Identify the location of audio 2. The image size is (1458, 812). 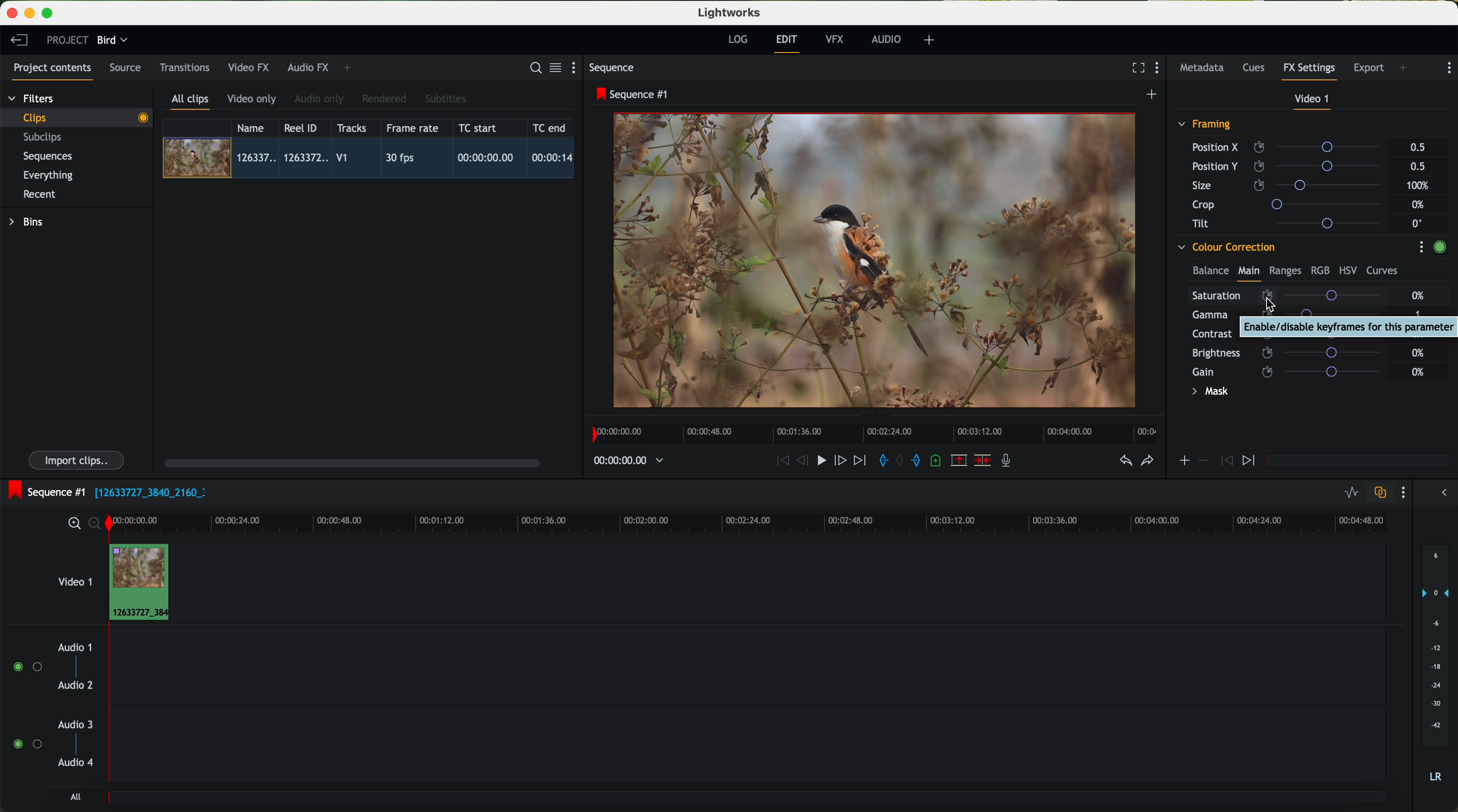
(76, 686).